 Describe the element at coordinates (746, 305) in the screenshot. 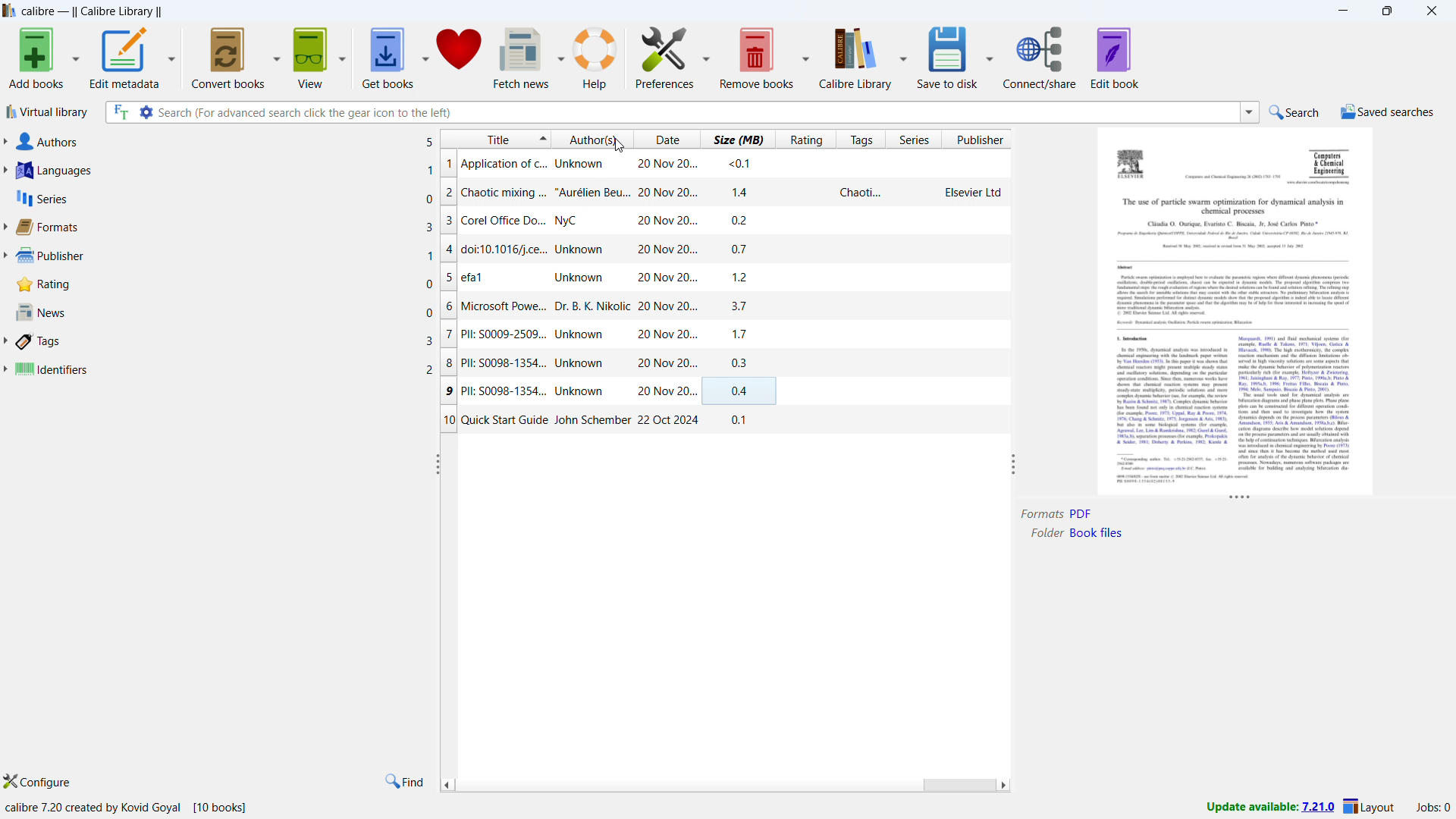

I see `37` at that location.